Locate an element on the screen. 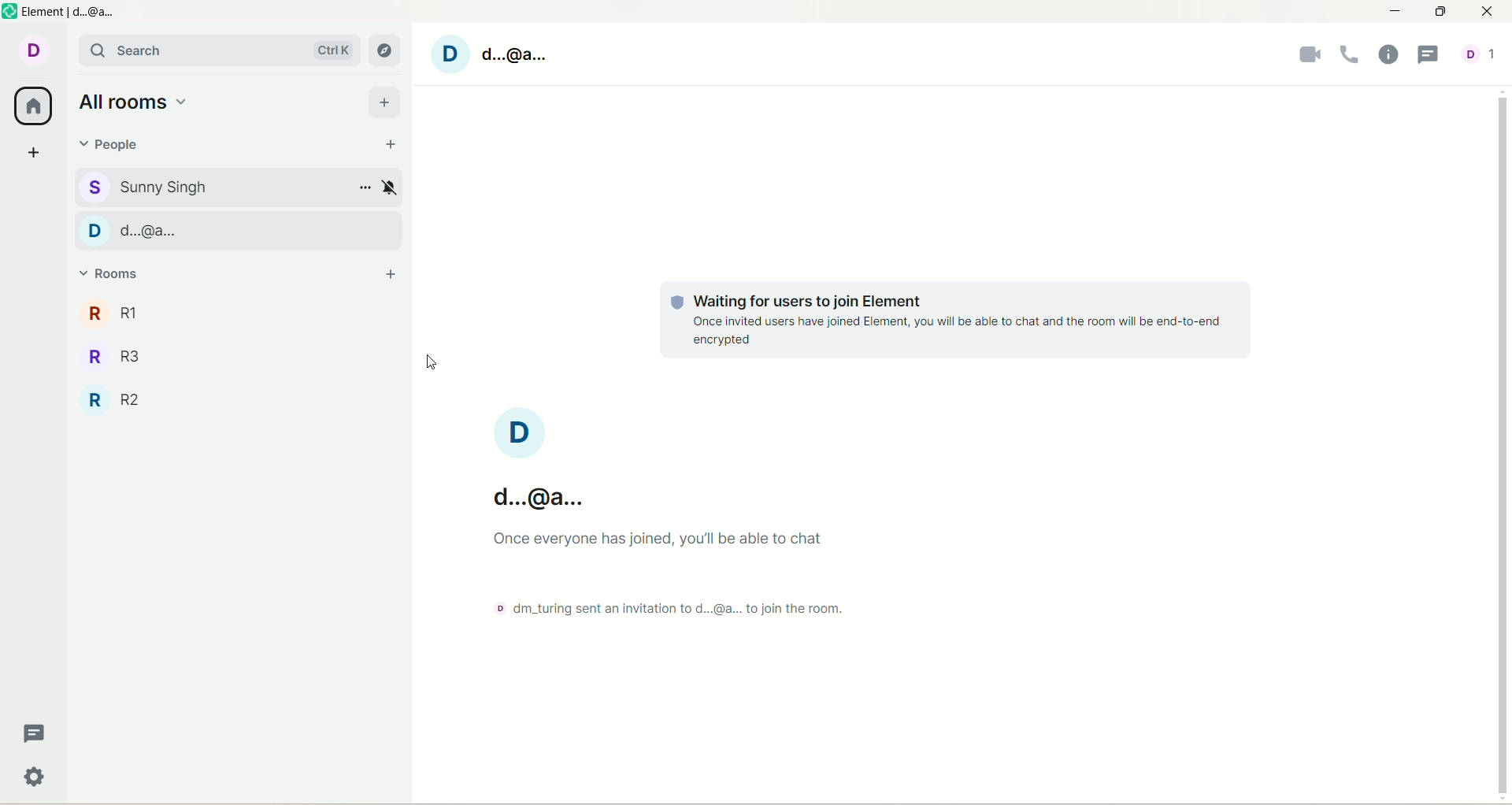  start chat is located at coordinates (395, 146).